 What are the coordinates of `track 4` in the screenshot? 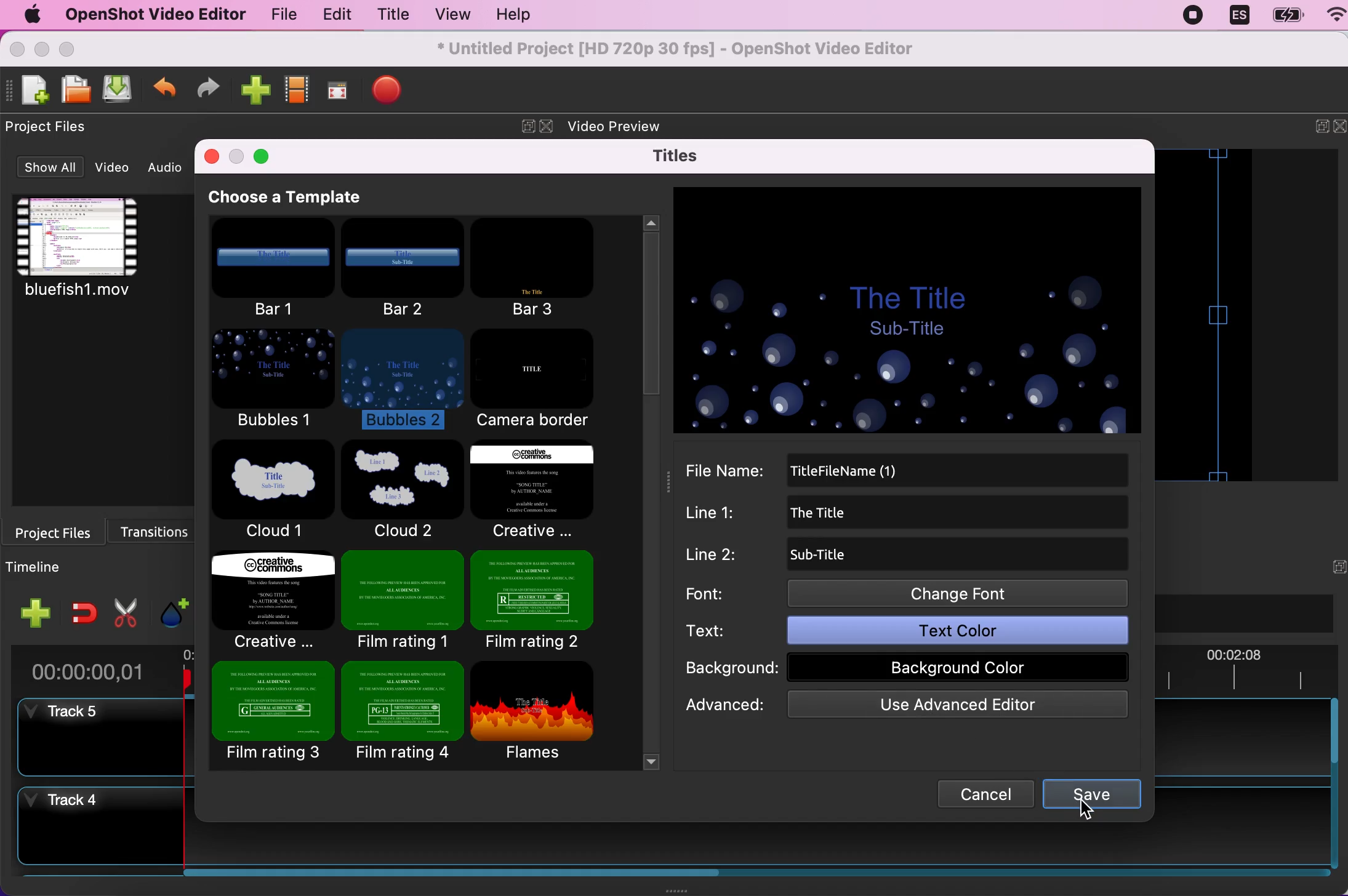 It's located at (91, 828).